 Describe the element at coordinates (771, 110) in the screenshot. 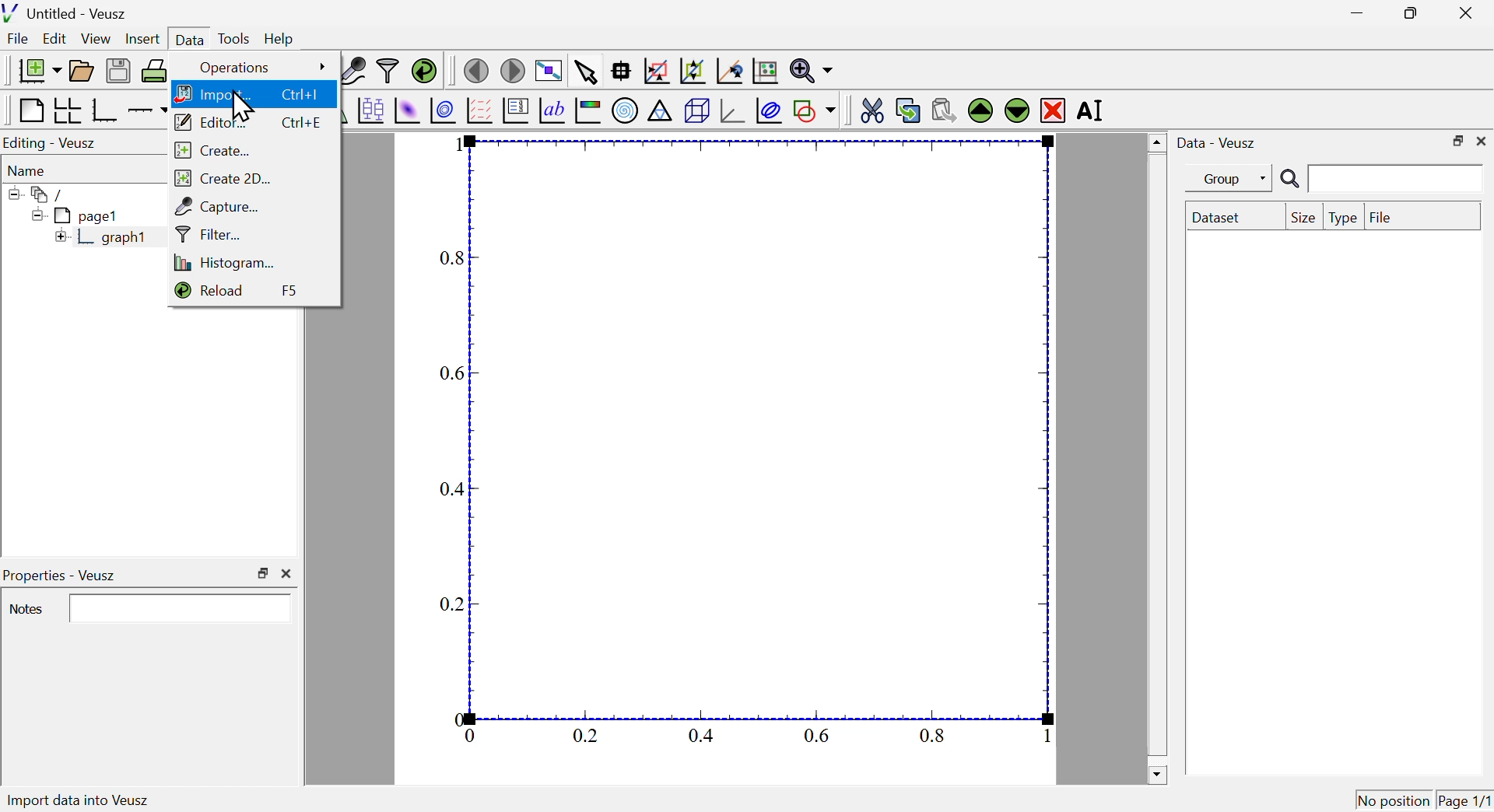

I see `plot covariance llipses` at that location.